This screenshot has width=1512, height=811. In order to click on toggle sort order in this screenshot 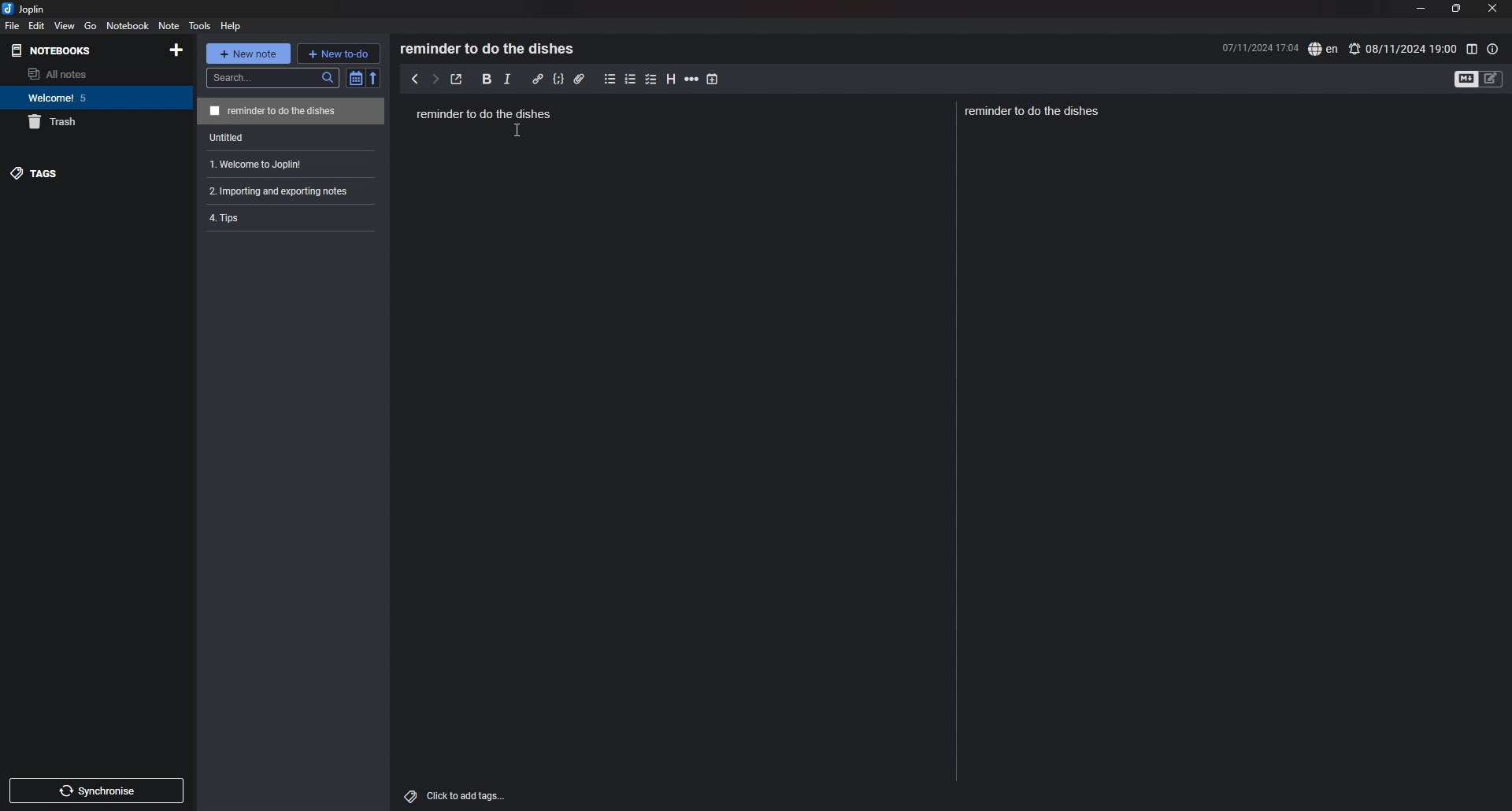, I will do `click(354, 78)`.